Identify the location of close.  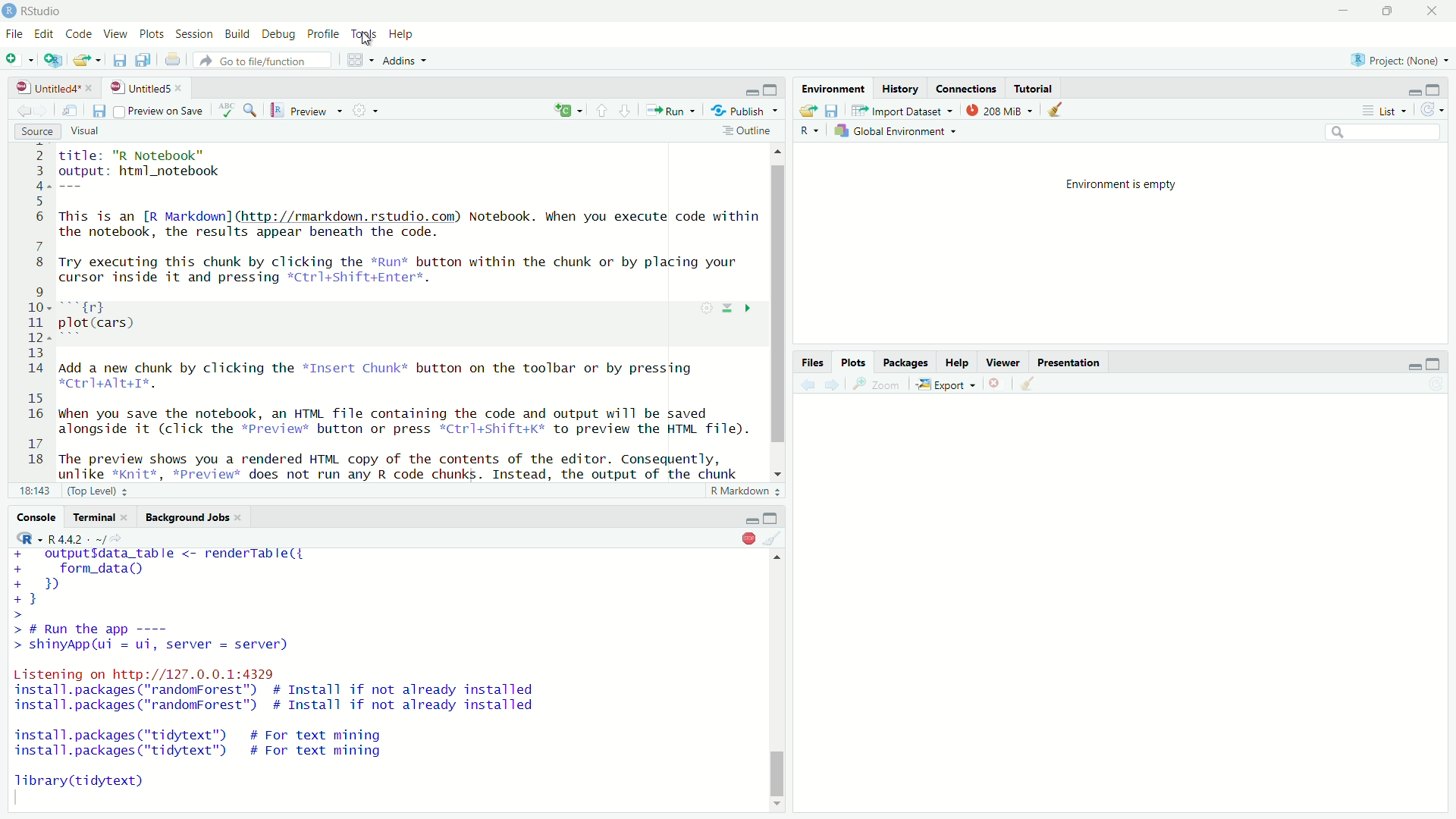
(182, 88).